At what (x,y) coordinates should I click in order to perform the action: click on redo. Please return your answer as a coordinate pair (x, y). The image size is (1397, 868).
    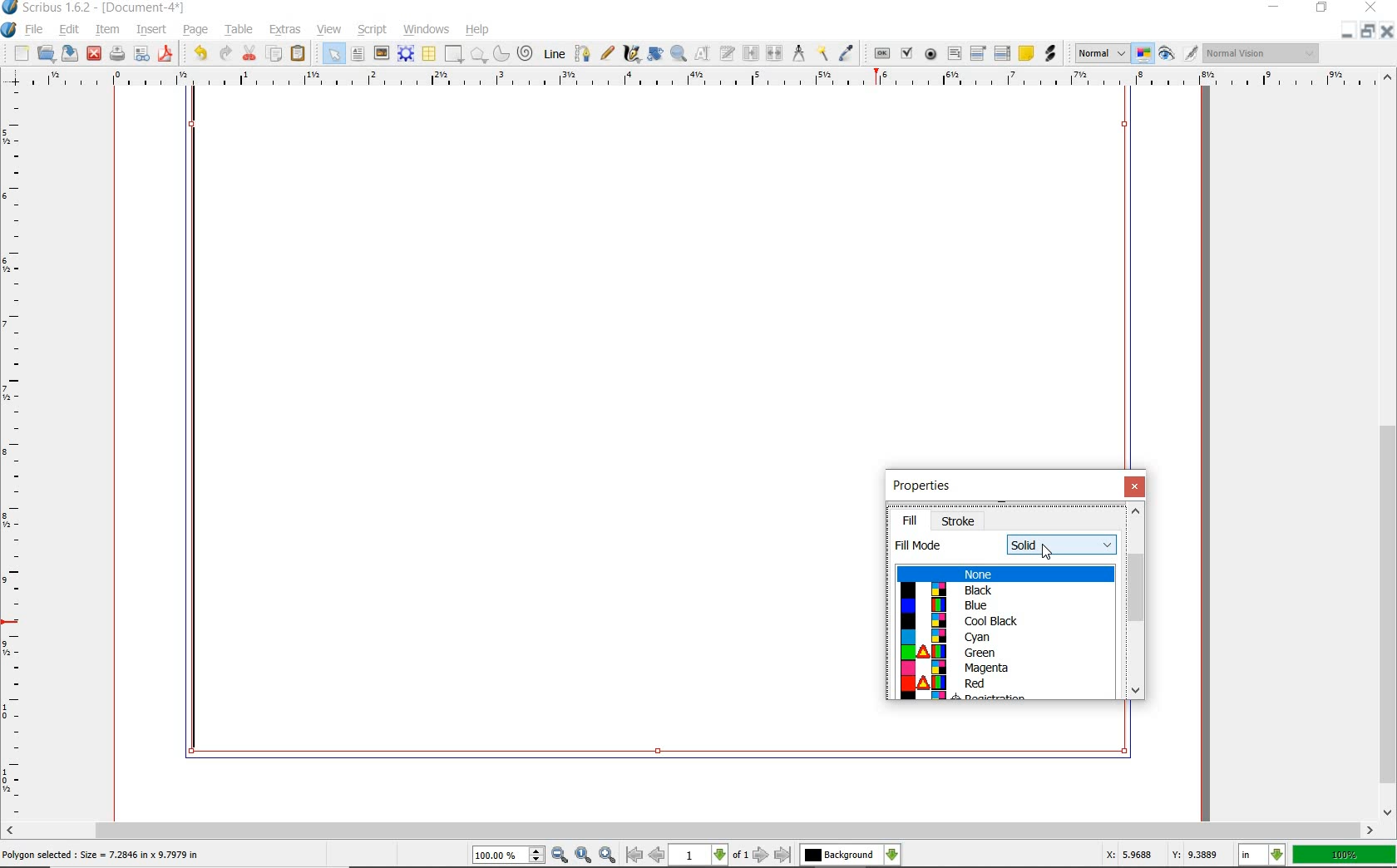
    Looking at the image, I should click on (227, 53).